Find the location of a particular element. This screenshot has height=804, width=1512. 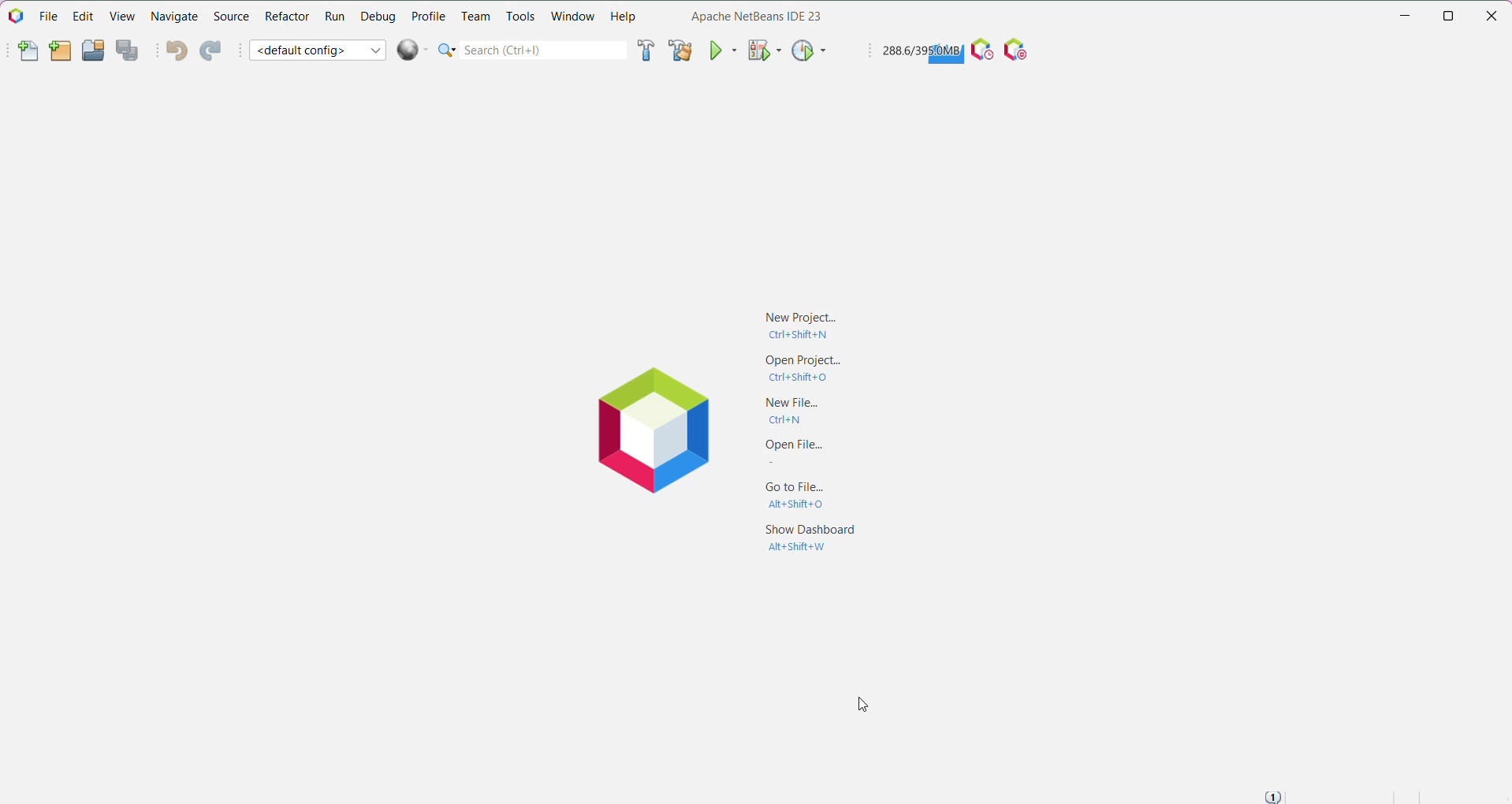

Run All is located at coordinates (413, 50).